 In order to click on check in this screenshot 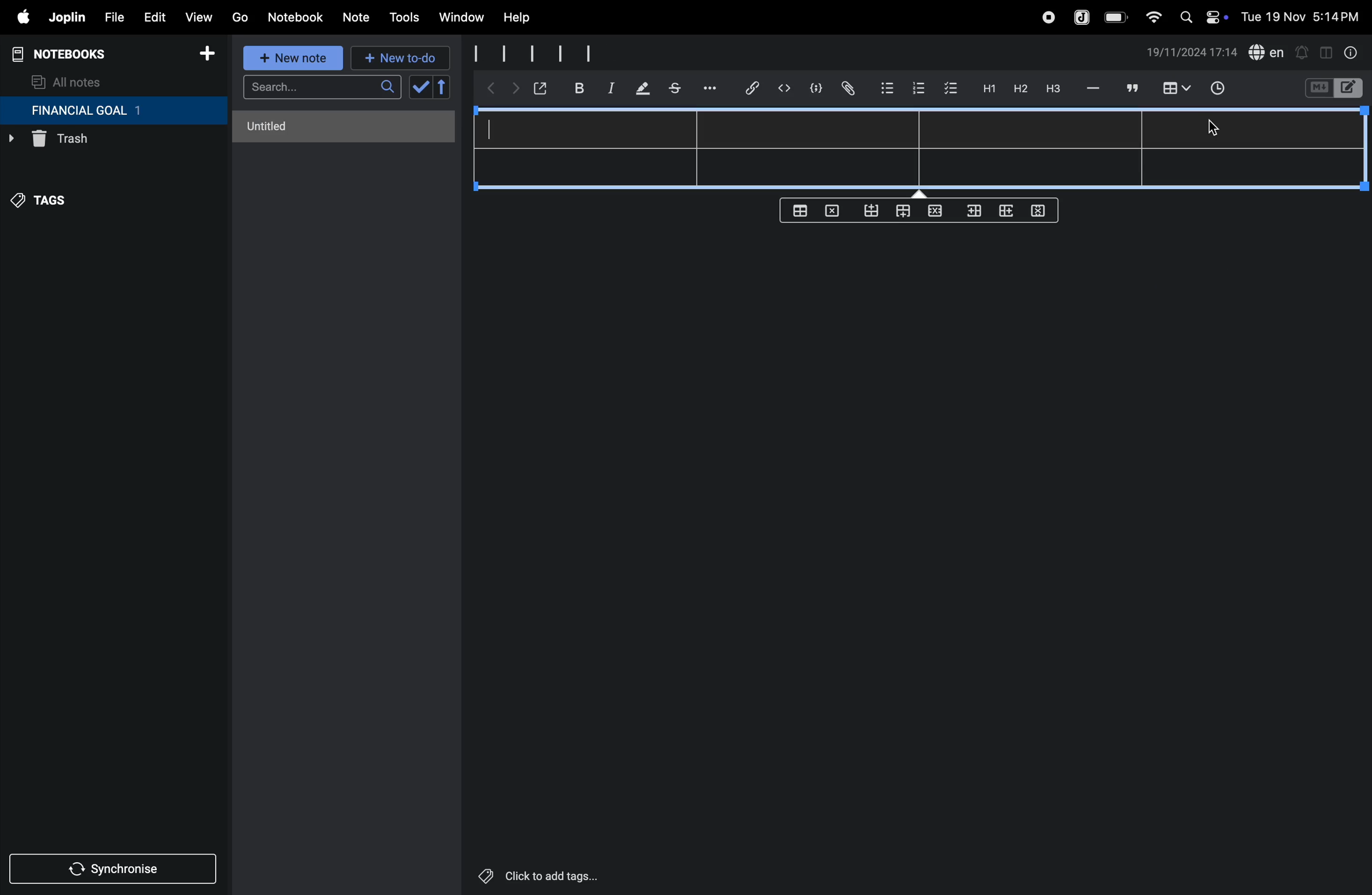, I will do `click(419, 88)`.